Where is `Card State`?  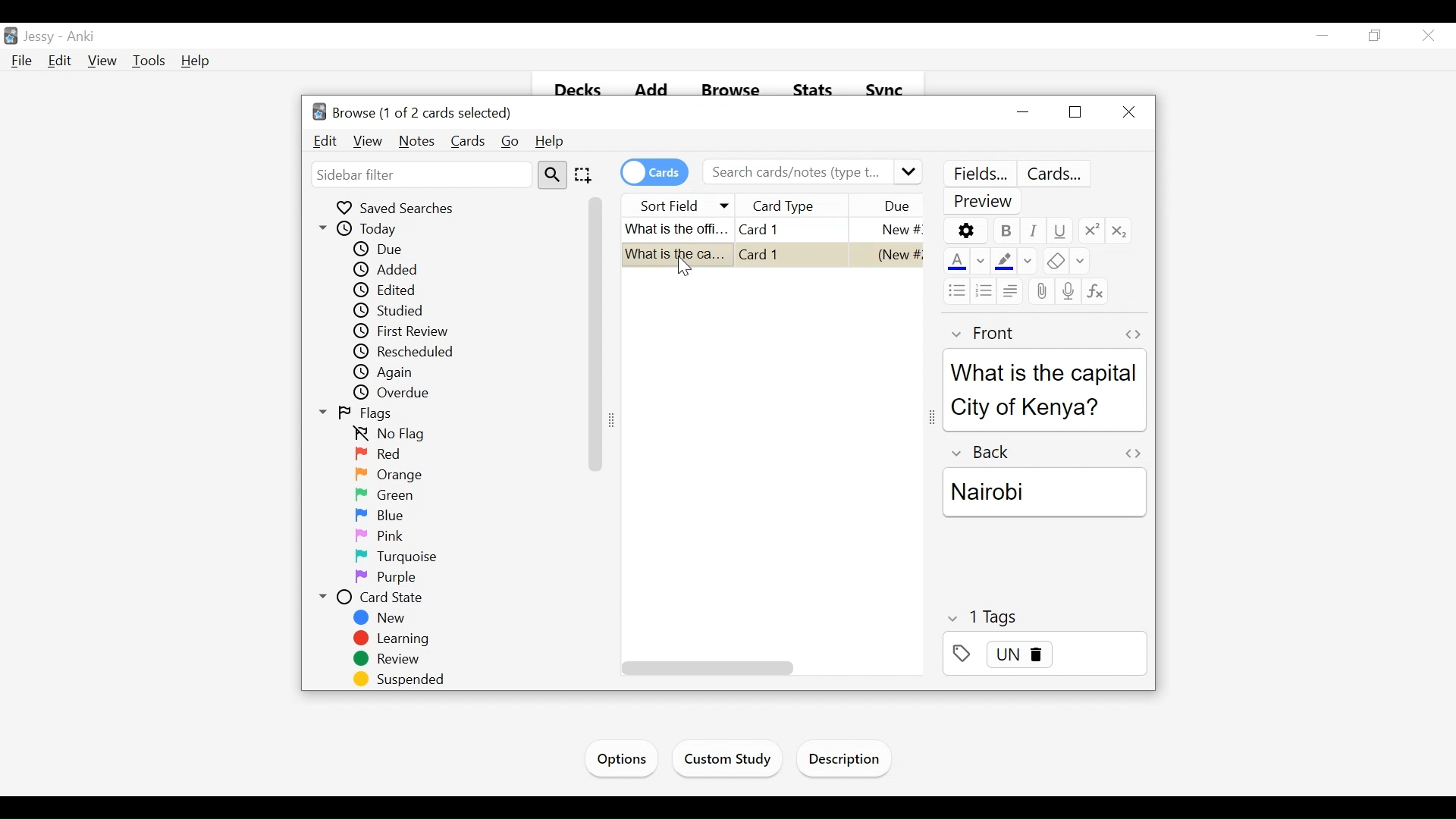 Card State is located at coordinates (371, 598).